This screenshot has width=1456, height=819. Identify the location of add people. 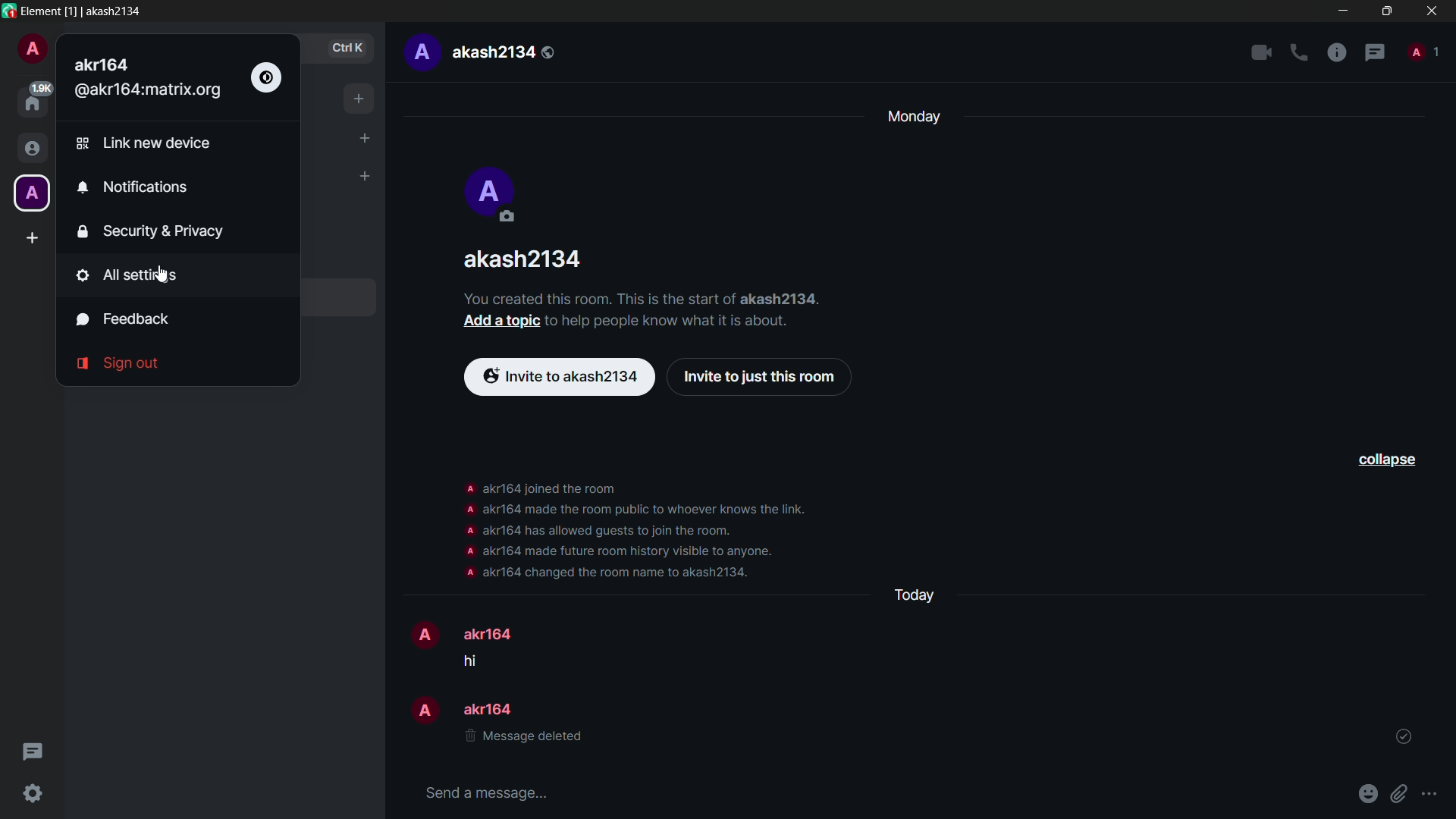
(365, 138).